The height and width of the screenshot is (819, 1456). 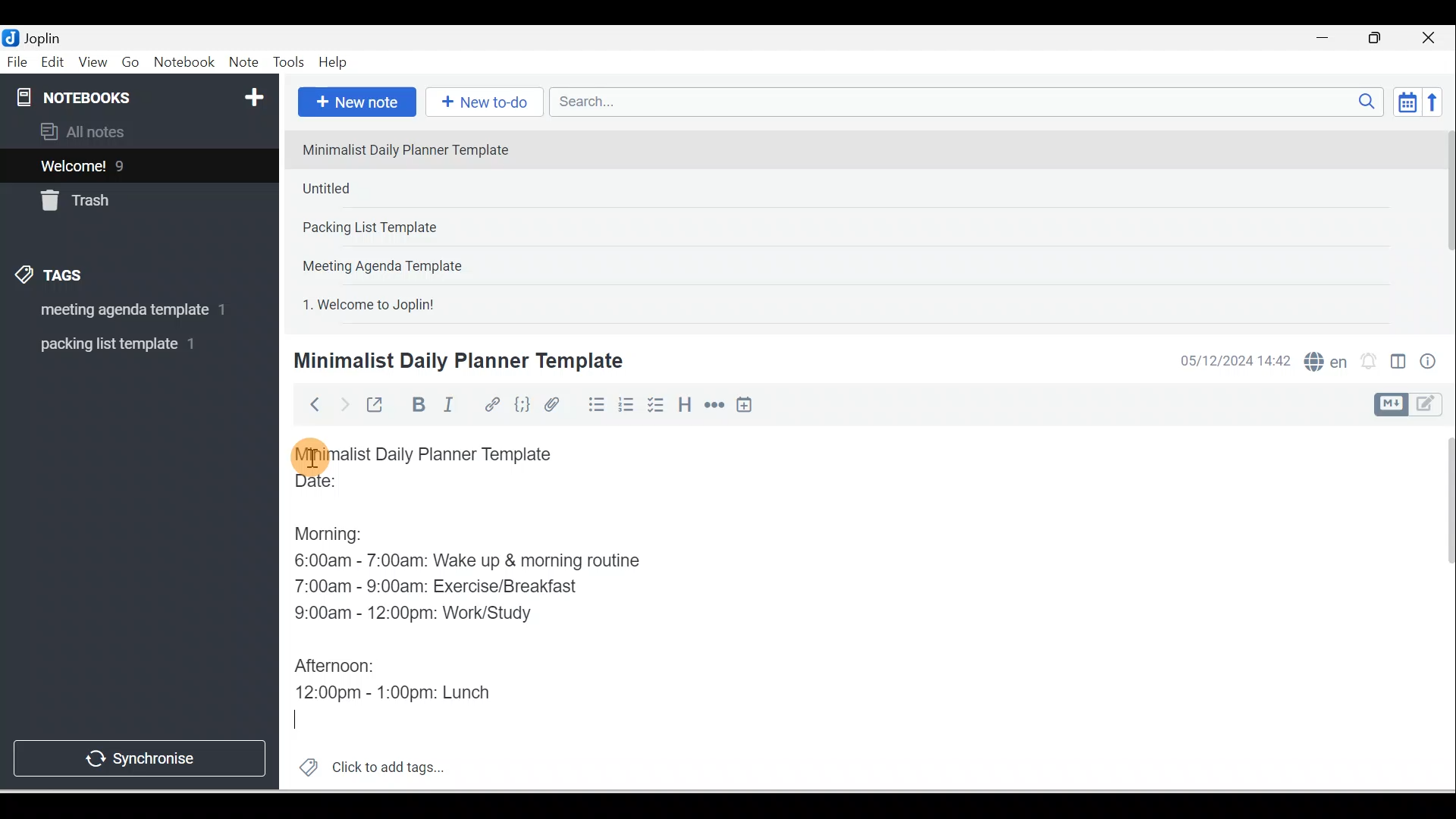 What do you see at coordinates (128, 344) in the screenshot?
I see `Tag 2` at bounding box center [128, 344].